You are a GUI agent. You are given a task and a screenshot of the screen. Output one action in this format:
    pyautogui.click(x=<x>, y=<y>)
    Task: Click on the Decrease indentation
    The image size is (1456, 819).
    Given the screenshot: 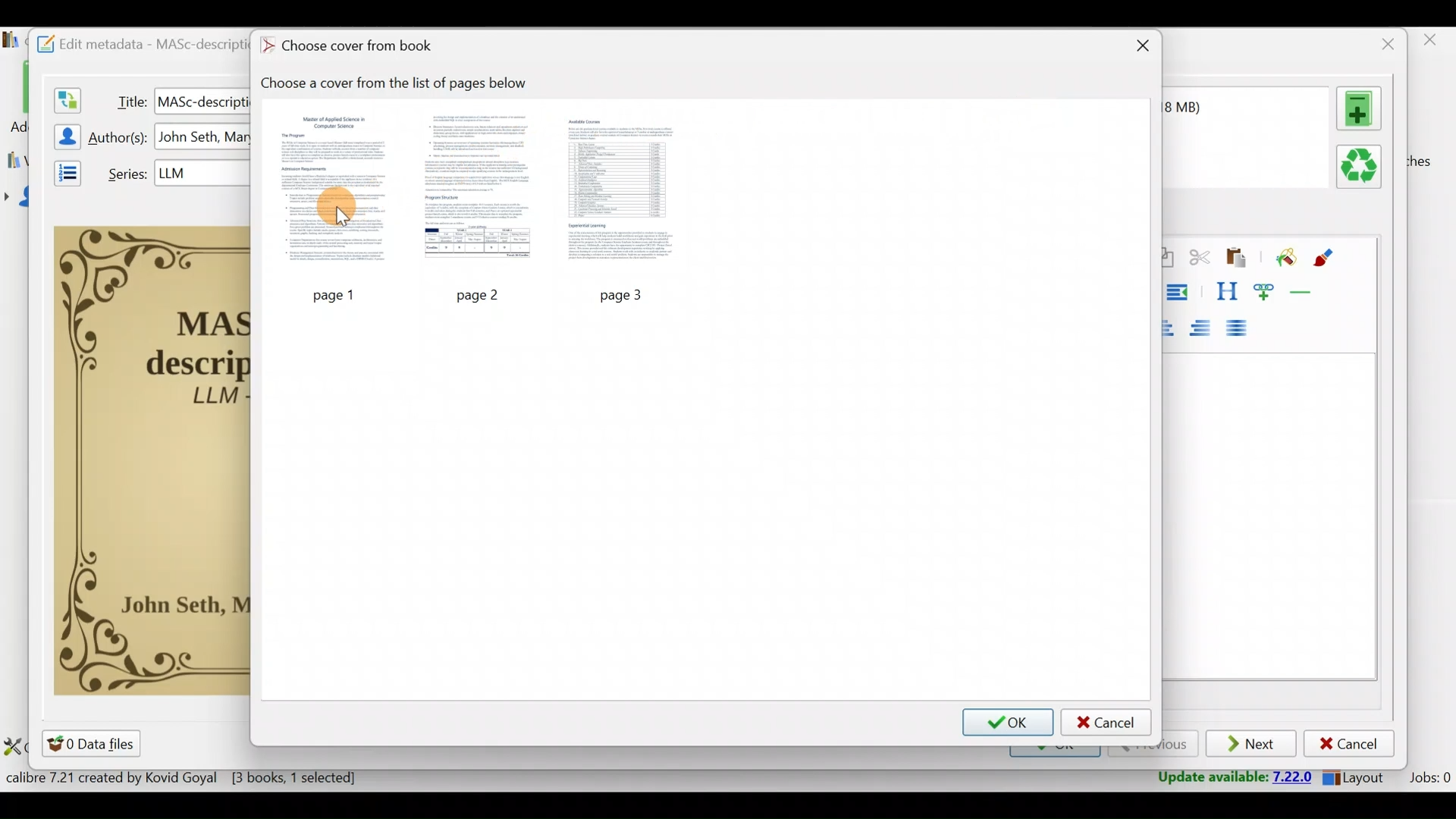 What is the action you would take?
    pyautogui.click(x=1180, y=292)
    